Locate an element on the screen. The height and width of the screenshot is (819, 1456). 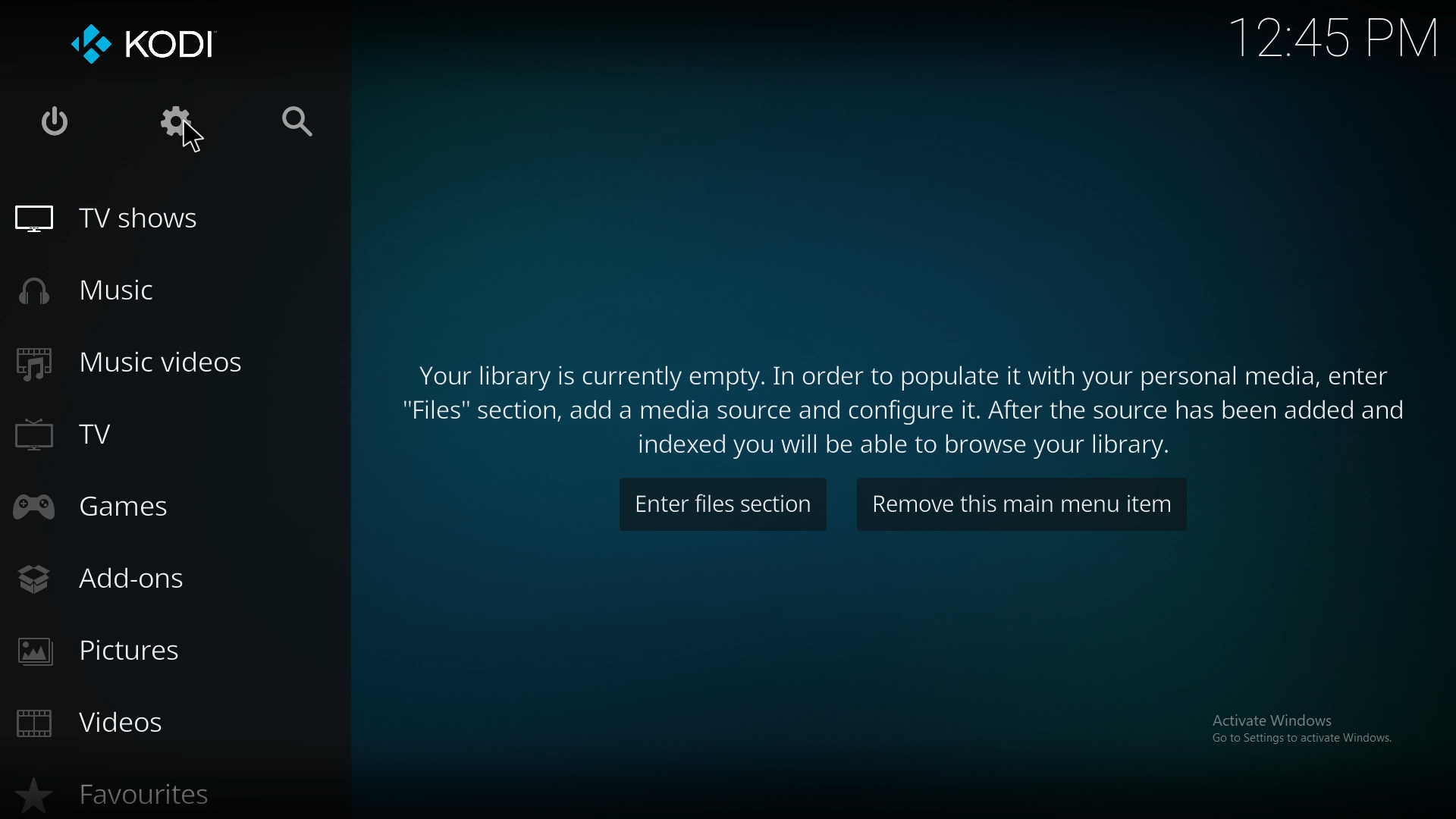
info is located at coordinates (897, 403).